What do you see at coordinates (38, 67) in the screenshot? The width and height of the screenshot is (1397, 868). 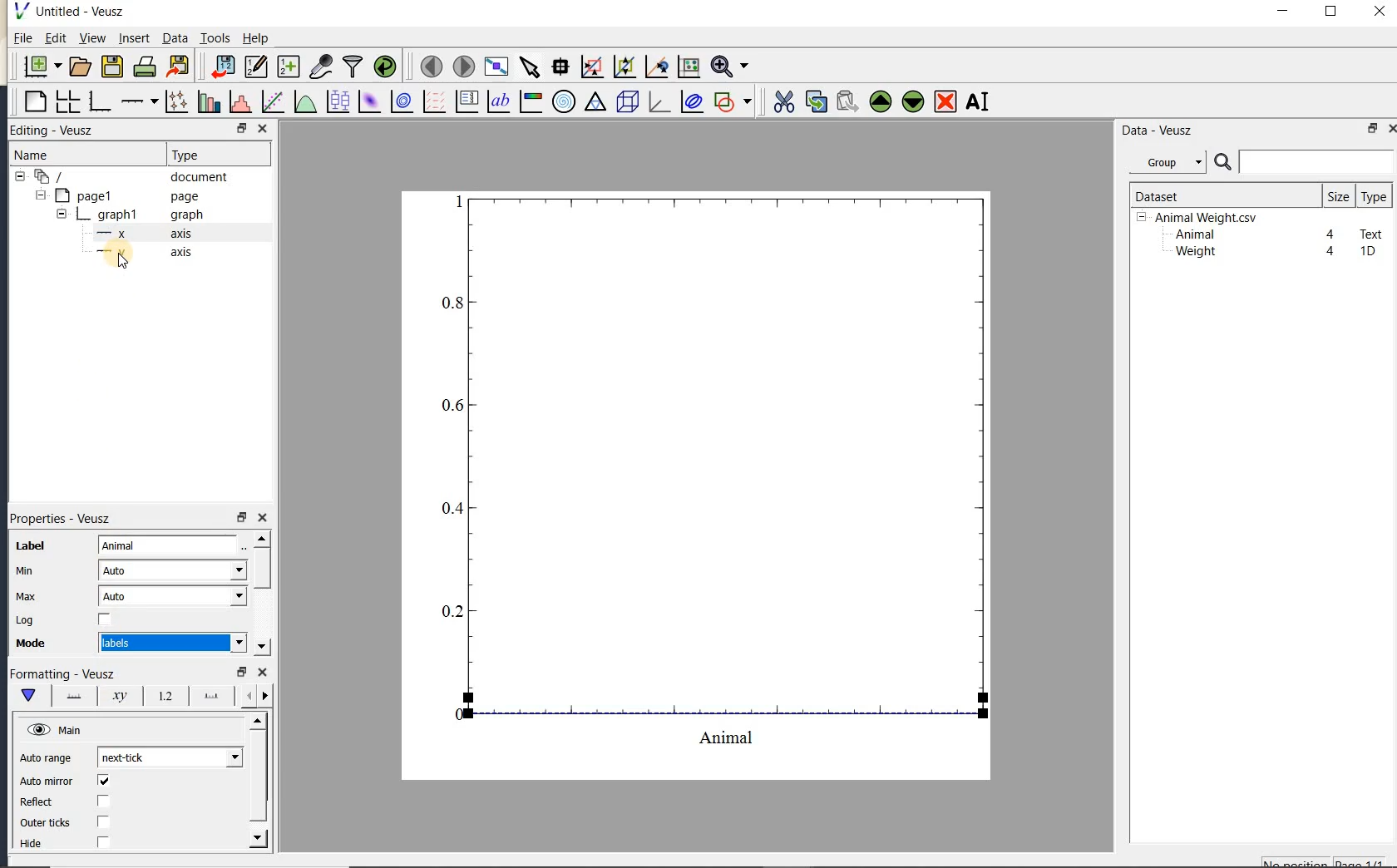 I see `new document` at bounding box center [38, 67].